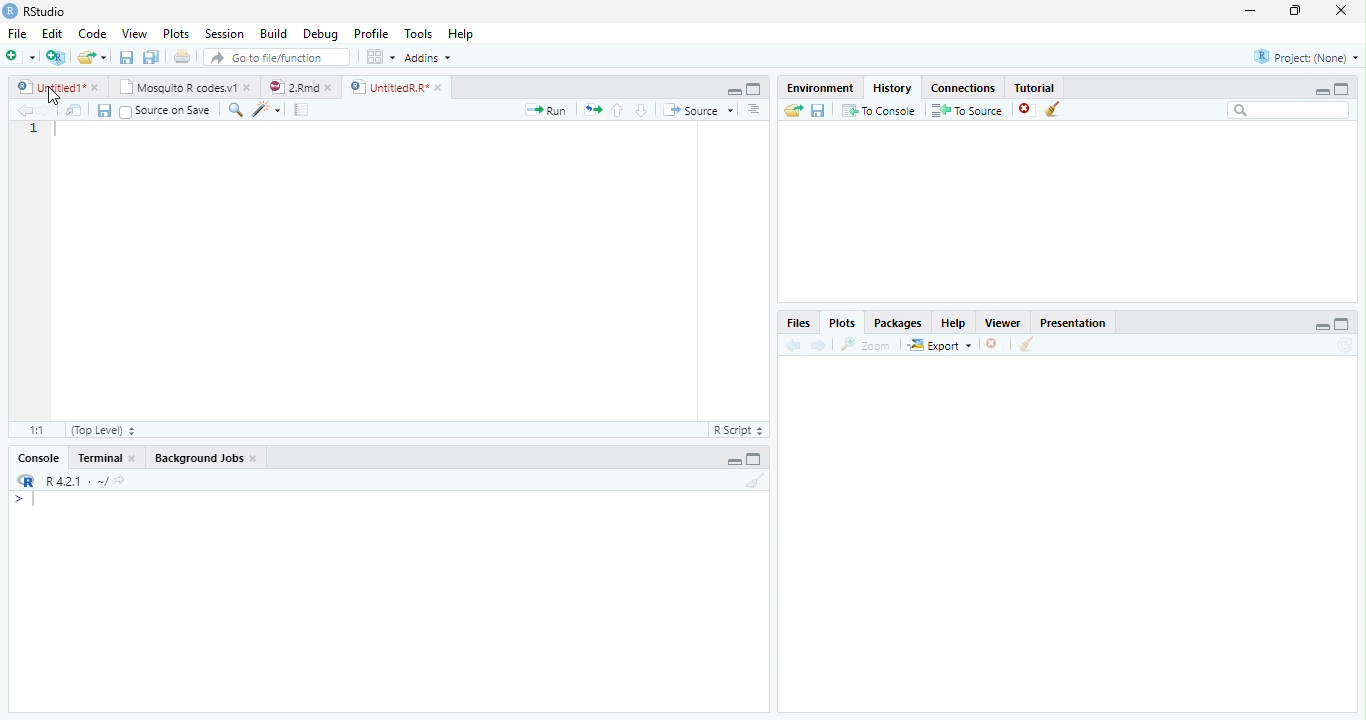  I want to click on Clear console, so click(756, 481).